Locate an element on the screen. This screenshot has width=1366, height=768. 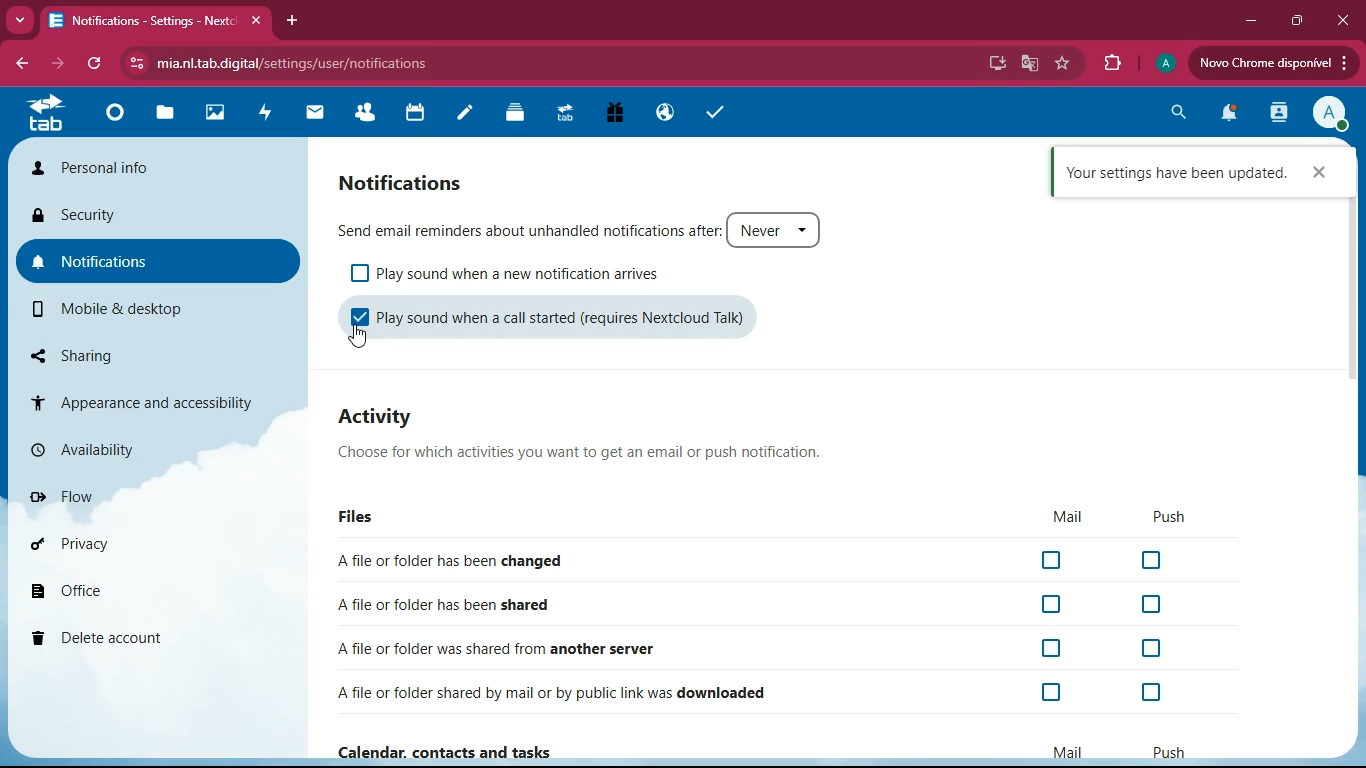
off is located at coordinates (1154, 562).